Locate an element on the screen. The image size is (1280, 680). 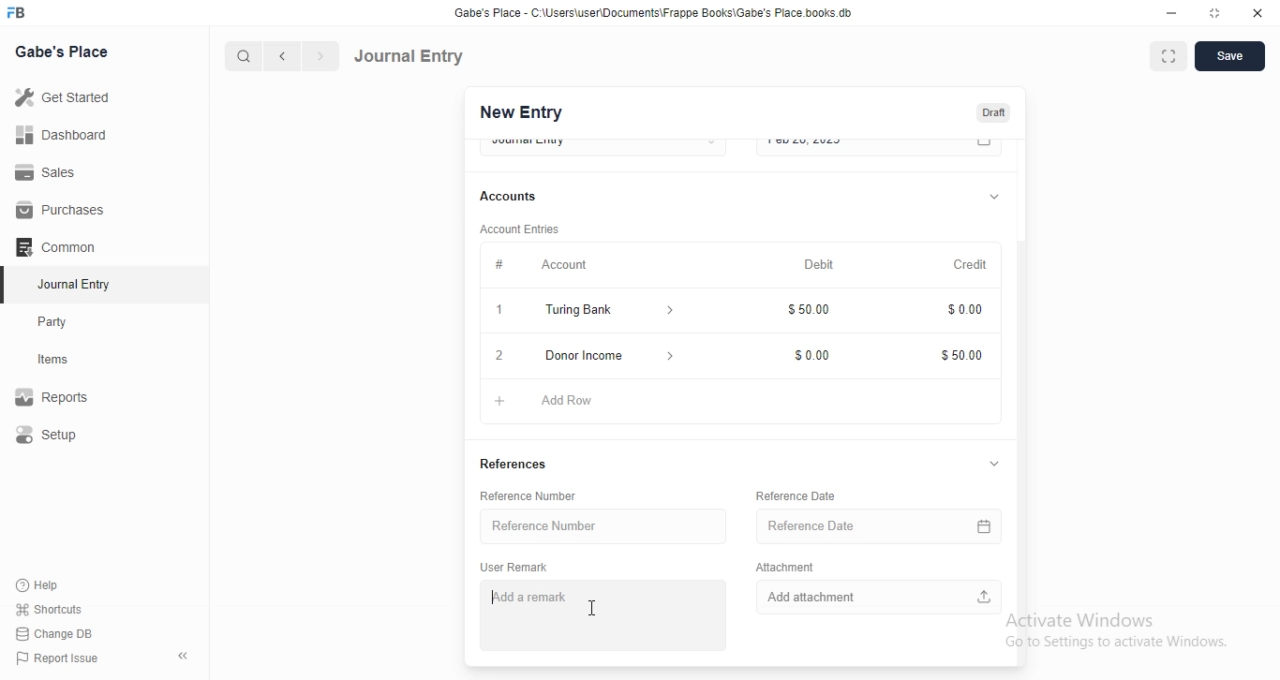
‘Shortcuts is located at coordinates (62, 609).